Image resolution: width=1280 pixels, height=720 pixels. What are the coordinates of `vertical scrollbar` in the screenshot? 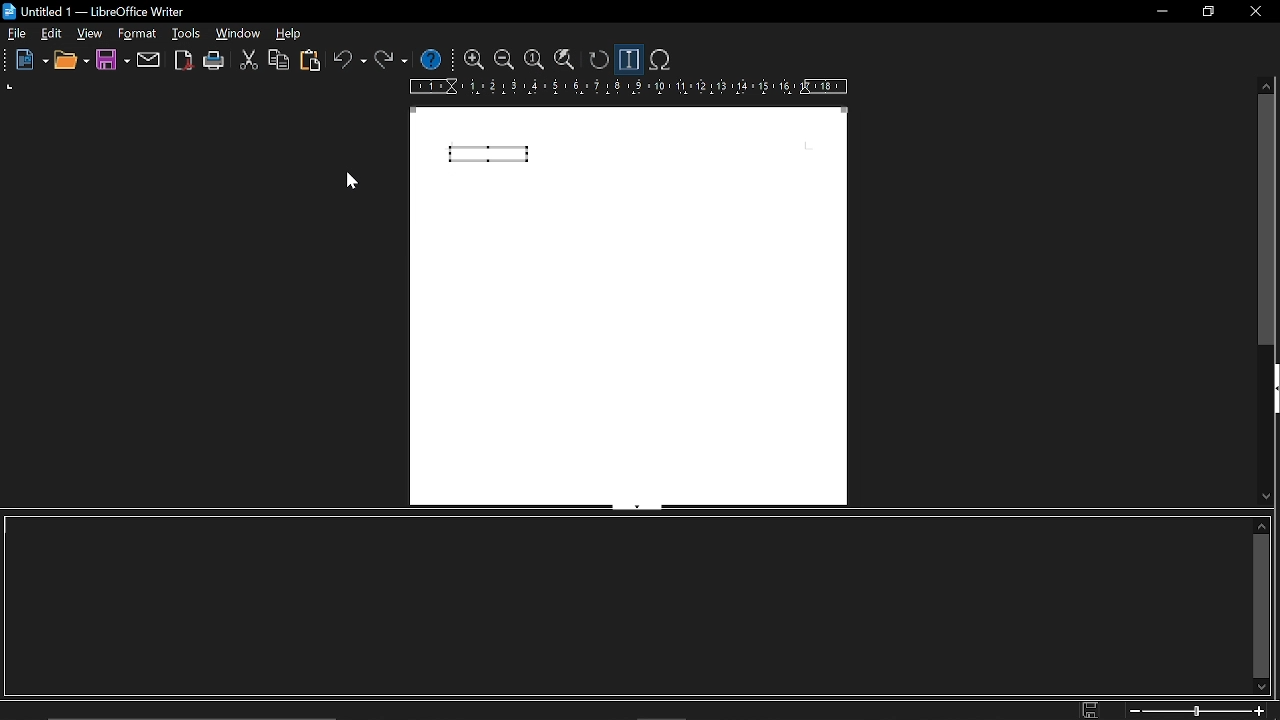 It's located at (1268, 222).